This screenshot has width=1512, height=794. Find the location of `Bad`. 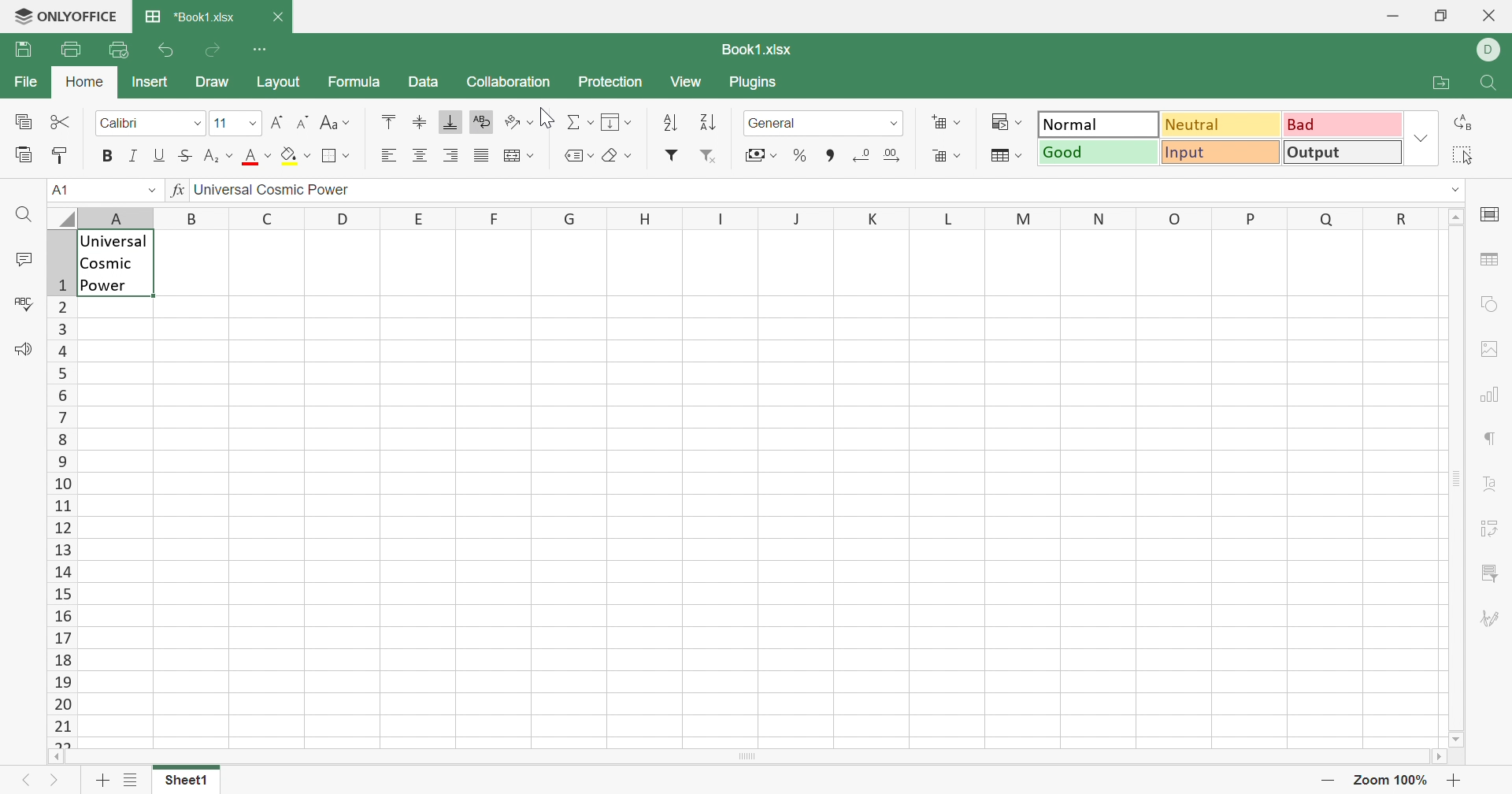

Bad is located at coordinates (1340, 124).